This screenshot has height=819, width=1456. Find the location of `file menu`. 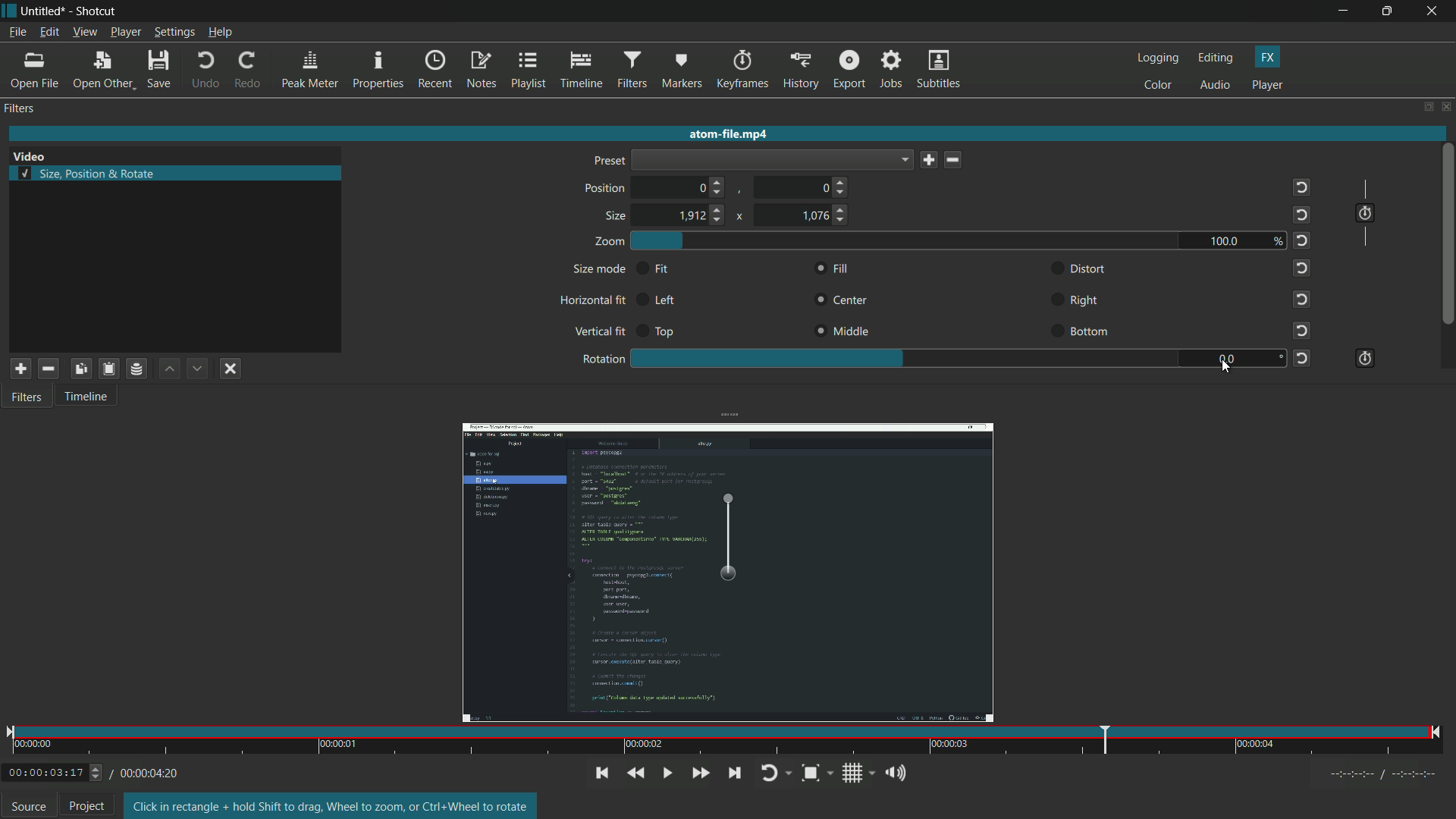

file menu is located at coordinates (19, 33).